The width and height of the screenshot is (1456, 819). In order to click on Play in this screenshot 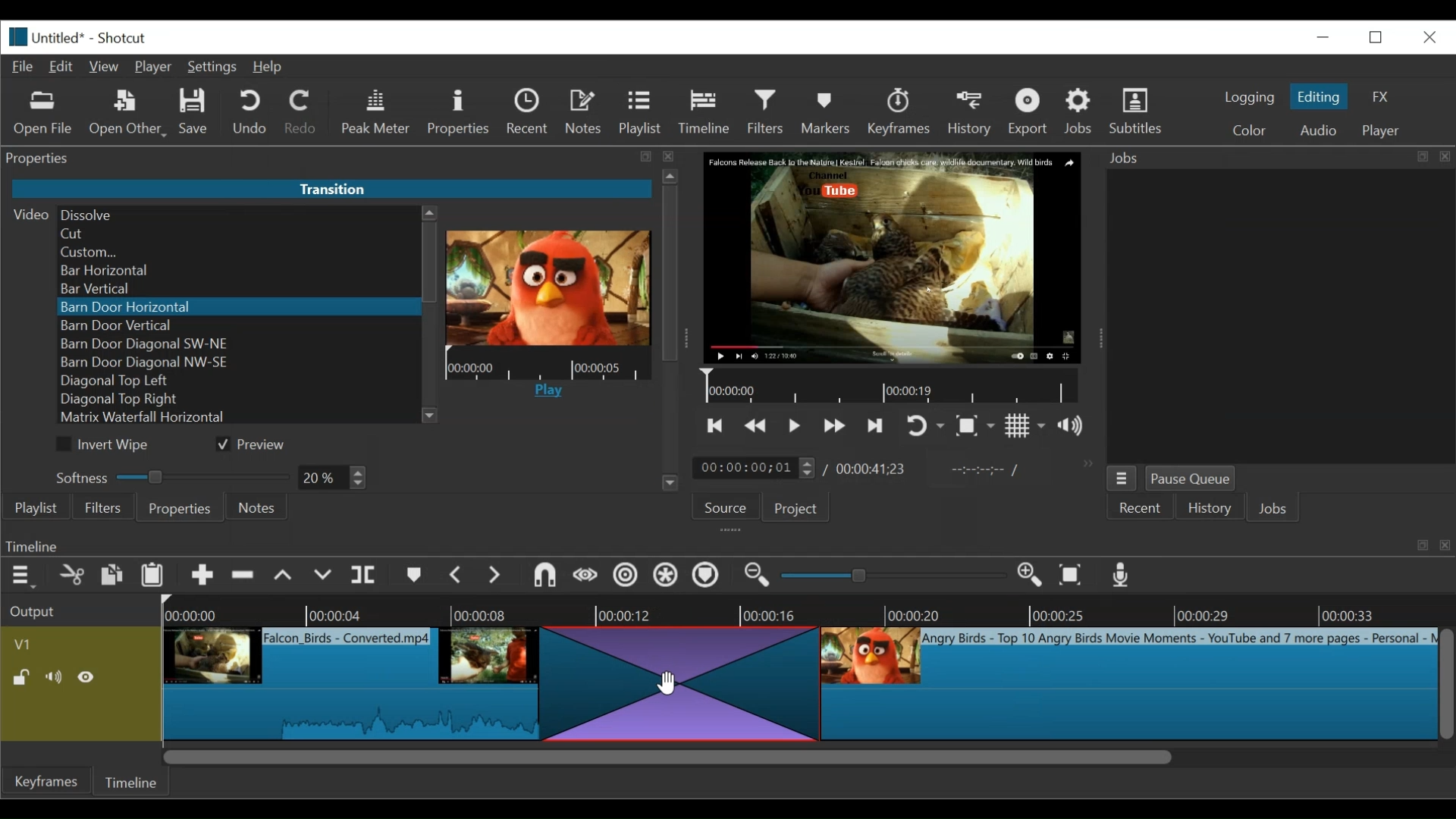, I will do `click(548, 394)`.